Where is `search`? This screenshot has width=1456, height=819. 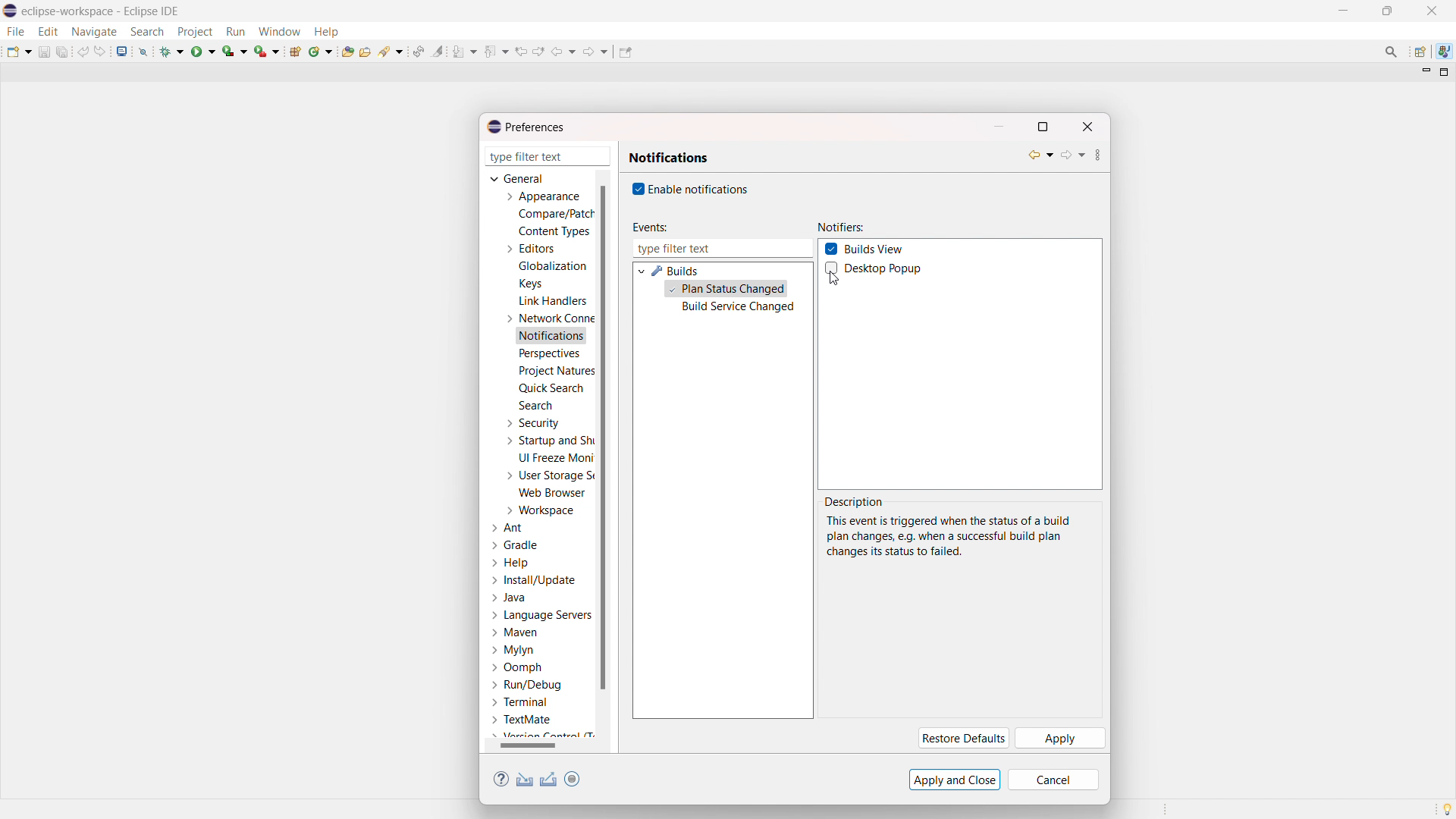 search is located at coordinates (147, 32).